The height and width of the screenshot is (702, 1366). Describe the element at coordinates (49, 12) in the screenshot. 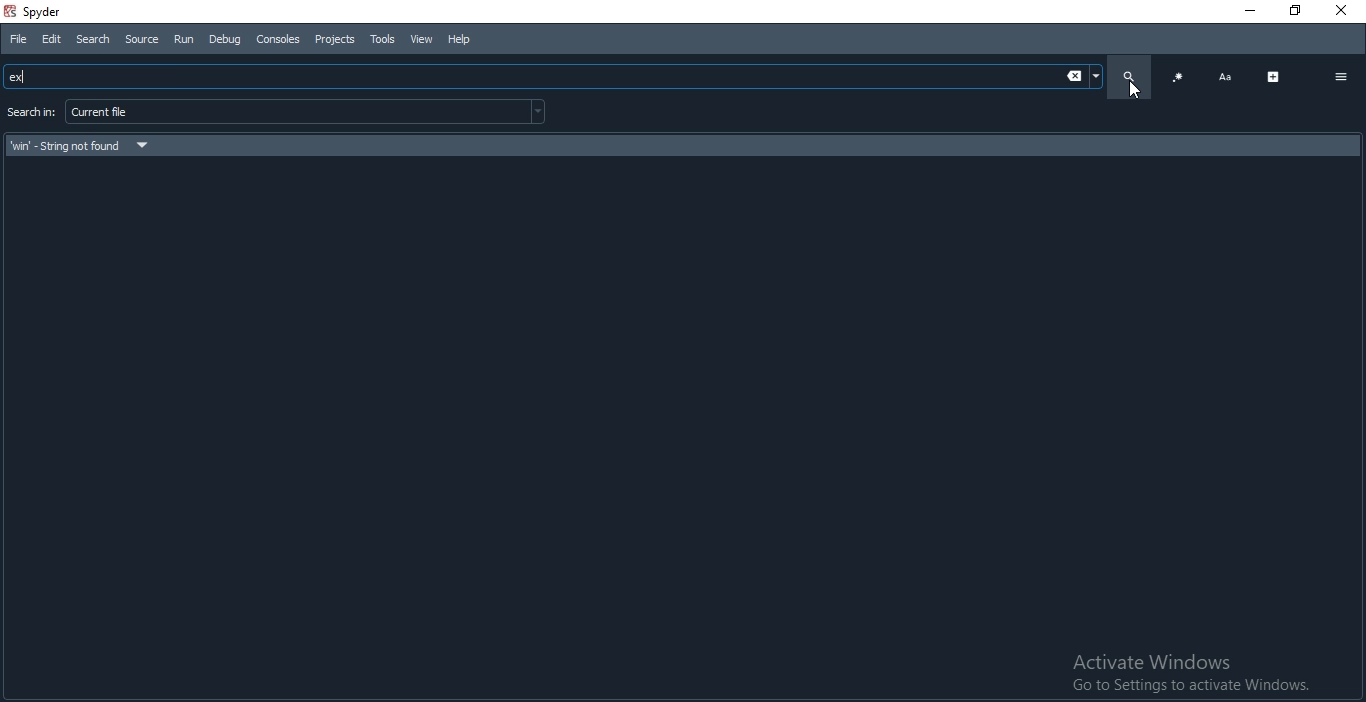

I see `spyder` at that location.